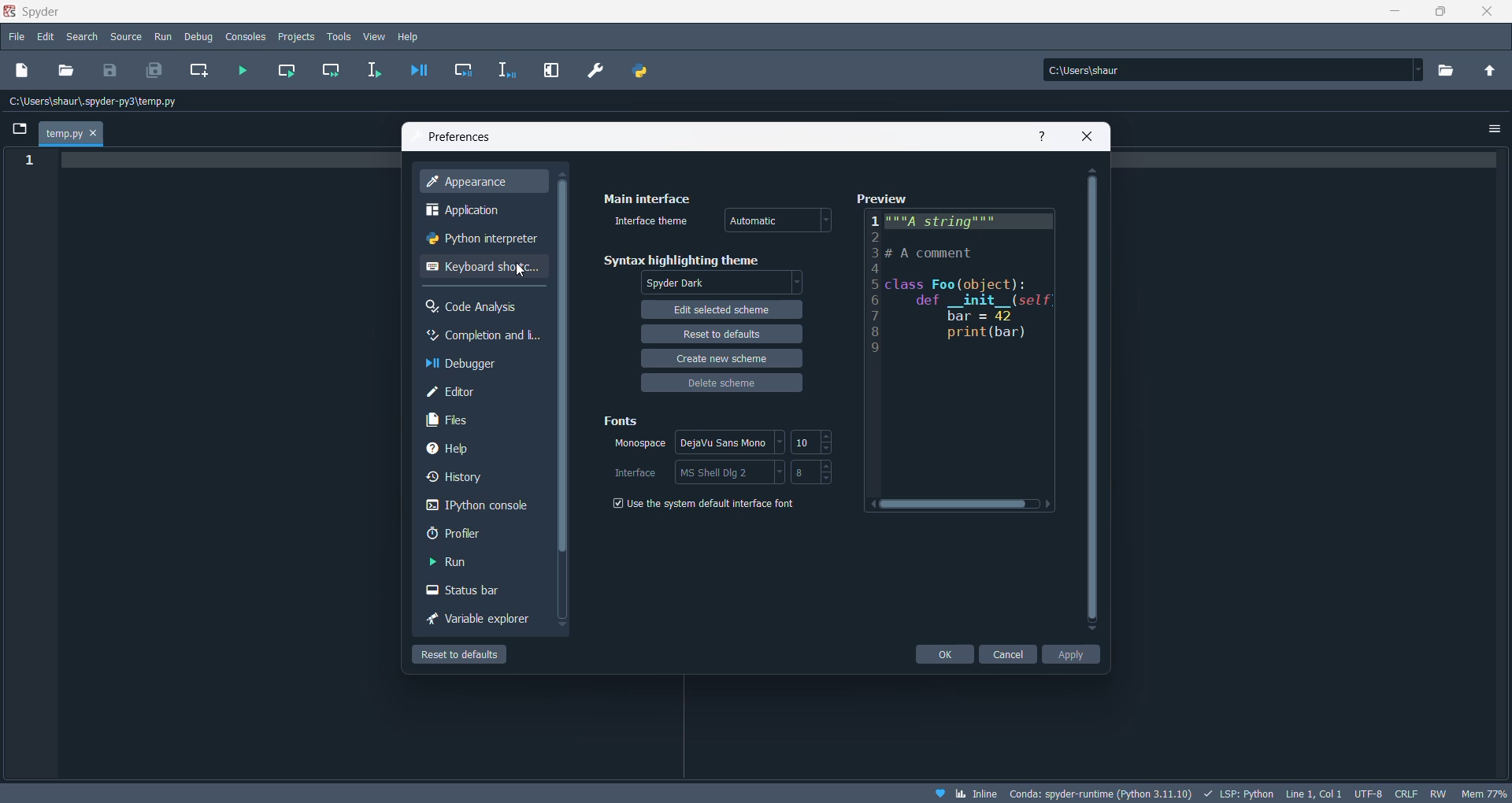  Describe the element at coordinates (778, 220) in the screenshot. I see `theme options dropdown button` at that location.